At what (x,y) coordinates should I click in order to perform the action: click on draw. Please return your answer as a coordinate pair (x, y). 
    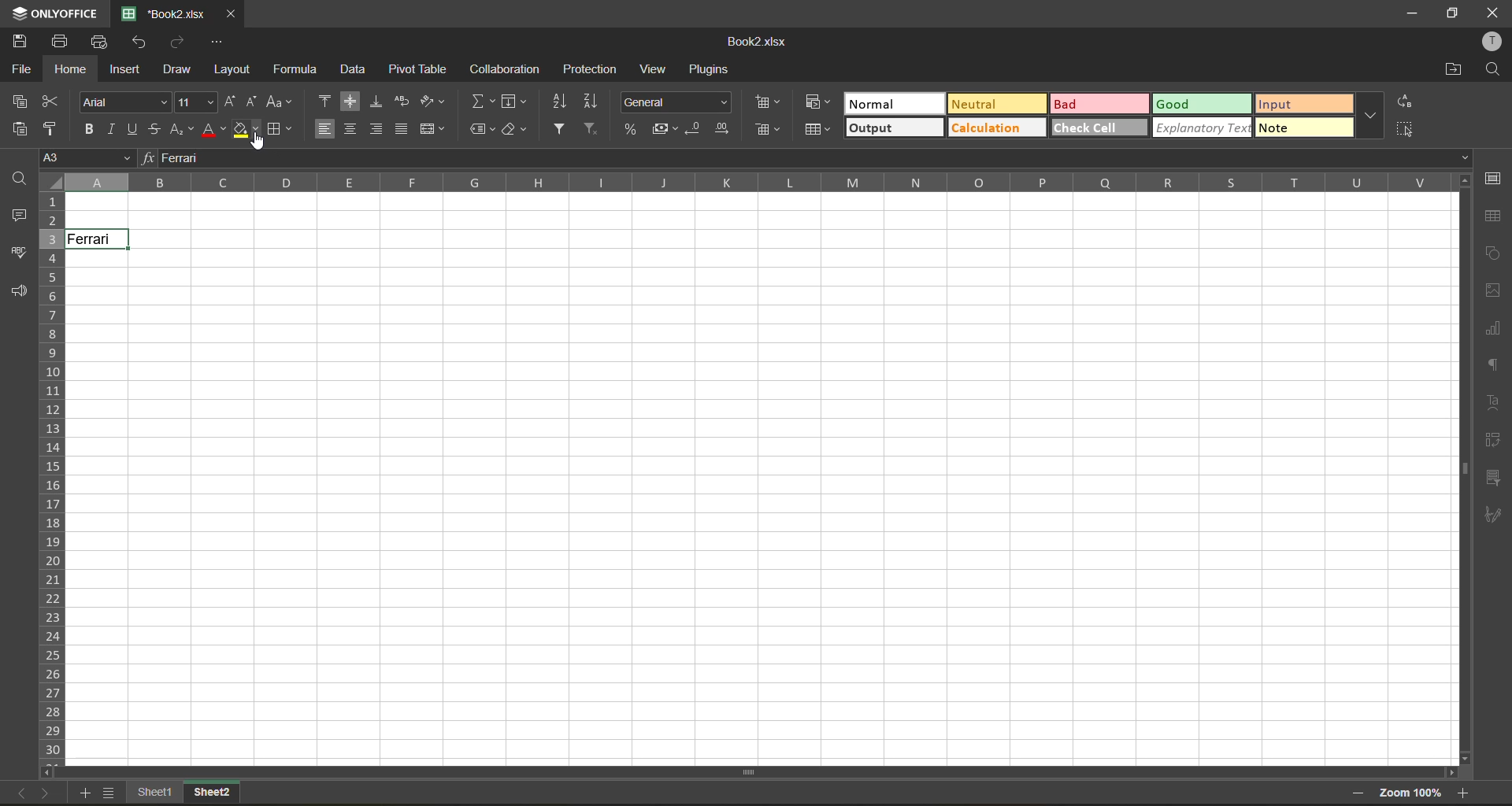
    Looking at the image, I should click on (180, 70).